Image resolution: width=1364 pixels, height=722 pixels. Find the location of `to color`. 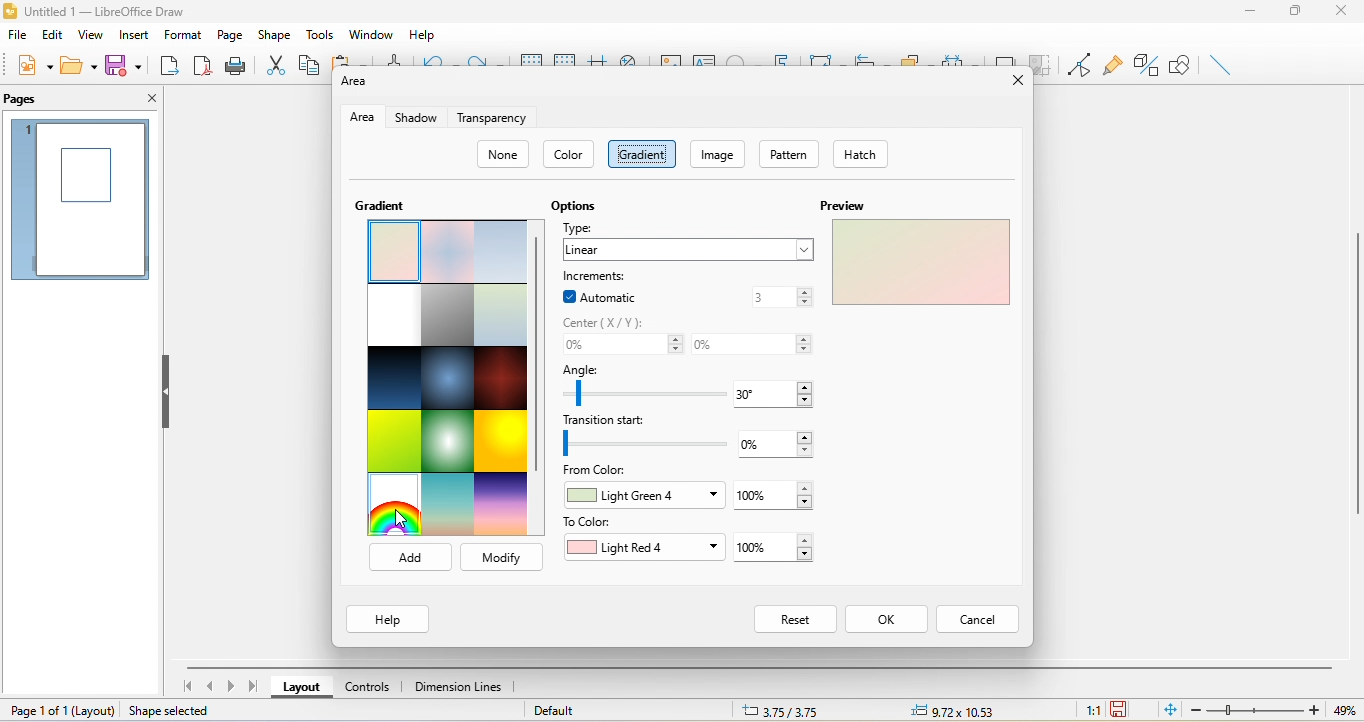

to color is located at coordinates (591, 522).